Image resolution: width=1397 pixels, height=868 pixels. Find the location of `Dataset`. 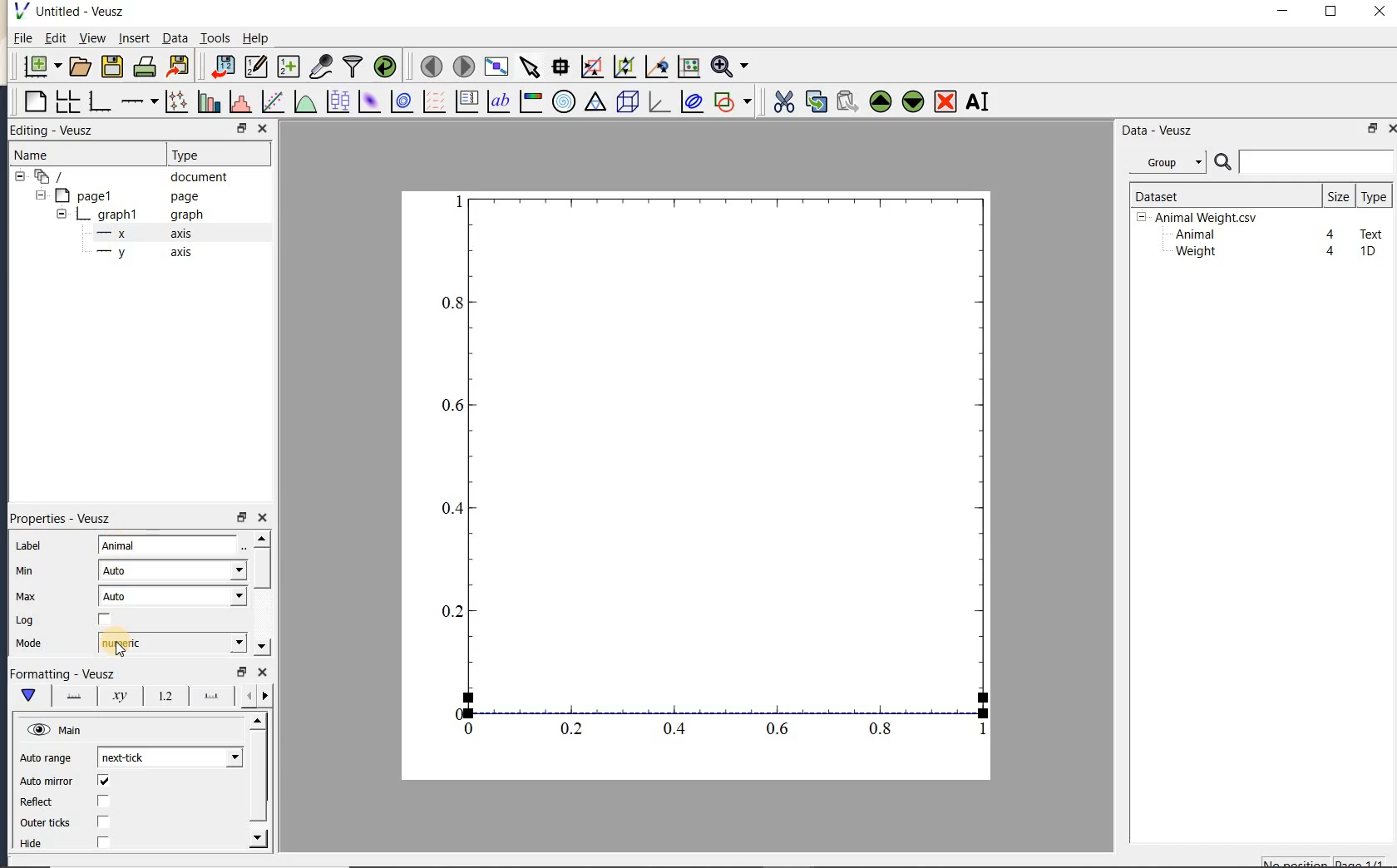

Dataset is located at coordinates (1218, 195).